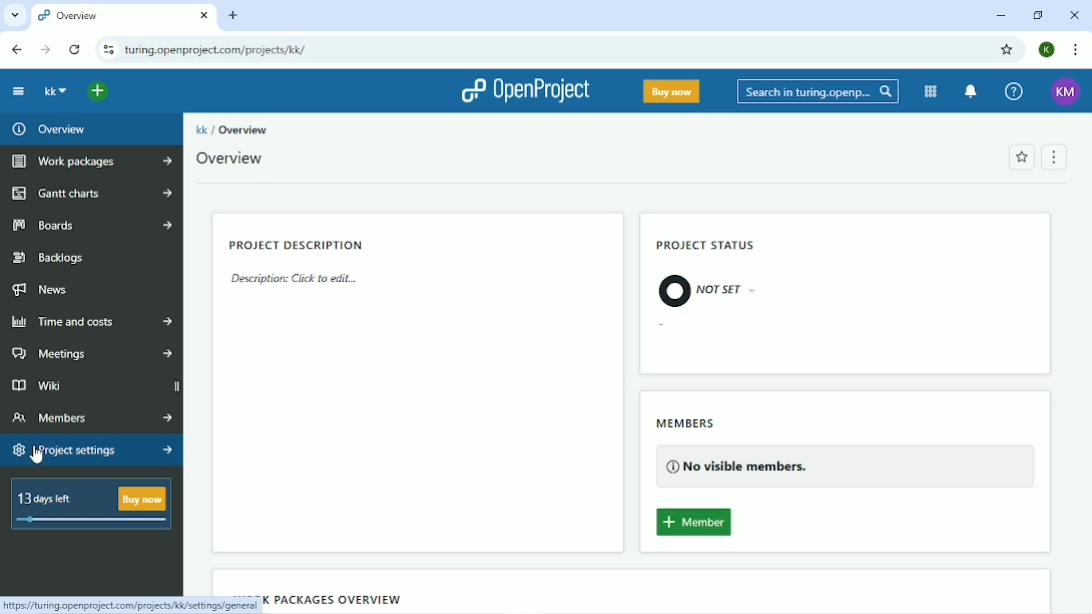 This screenshot has height=614, width=1092. I want to click on Meetings, so click(92, 354).